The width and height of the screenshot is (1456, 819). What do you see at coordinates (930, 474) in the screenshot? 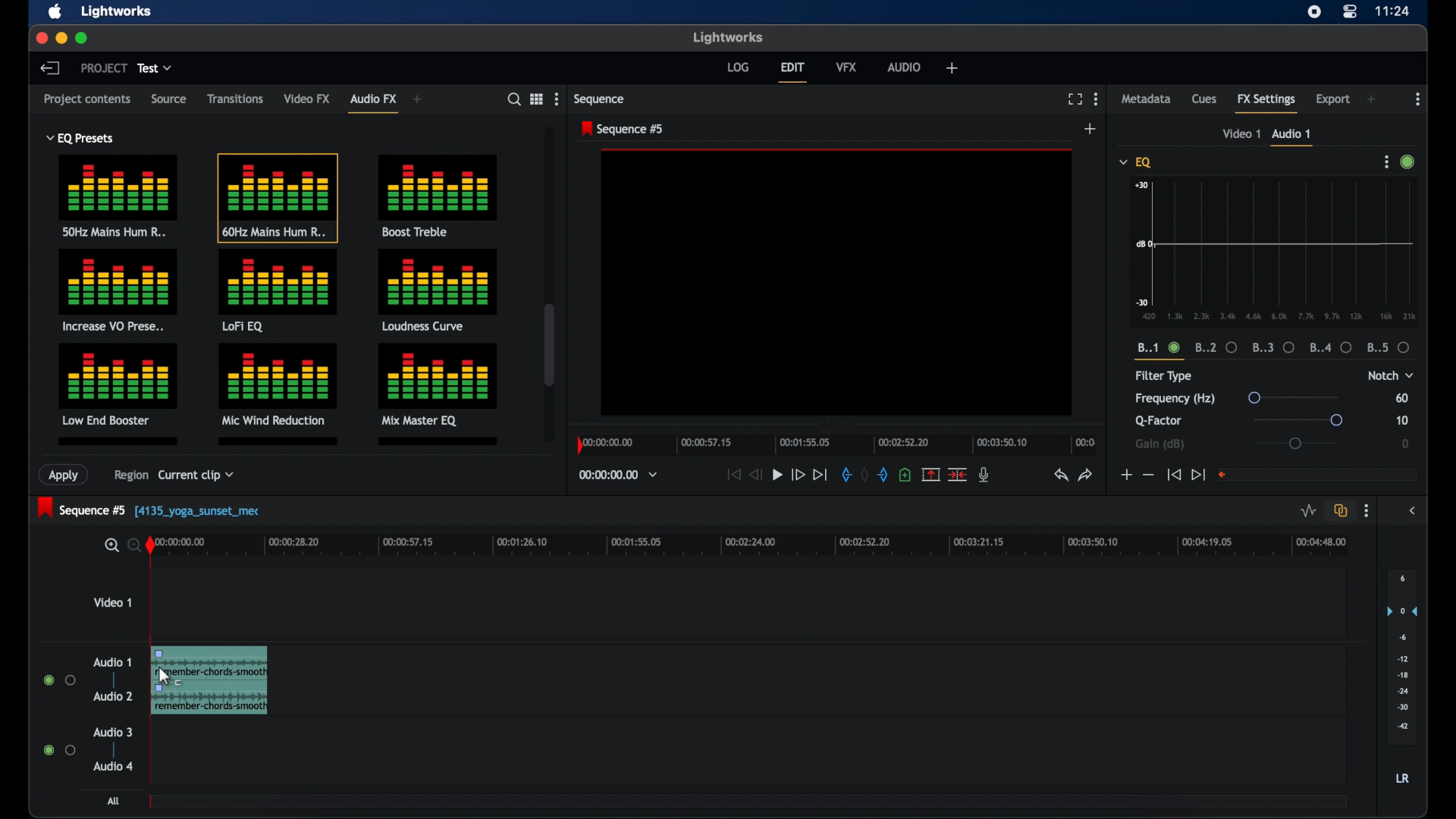
I see `remove marked section` at bounding box center [930, 474].